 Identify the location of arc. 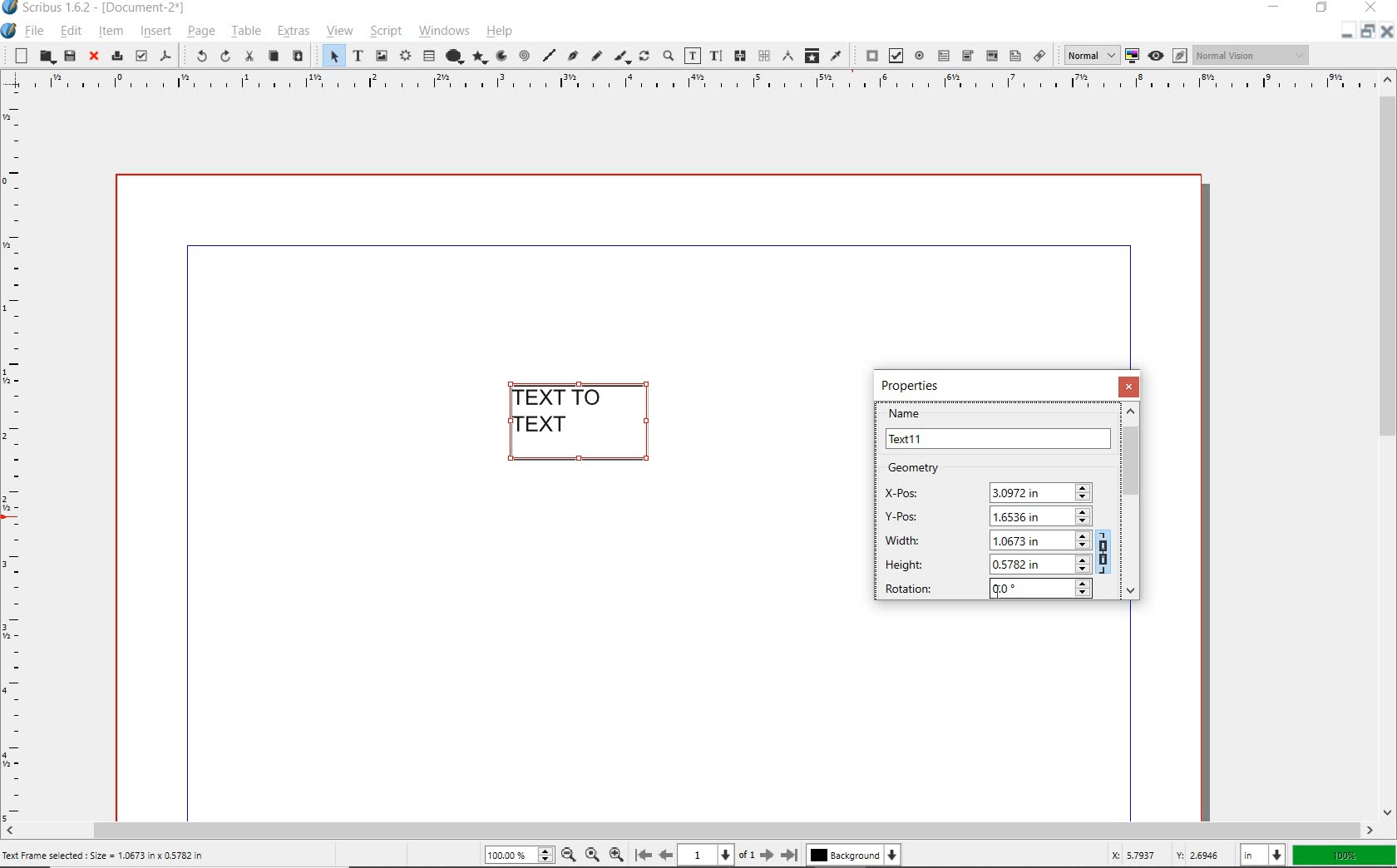
(501, 57).